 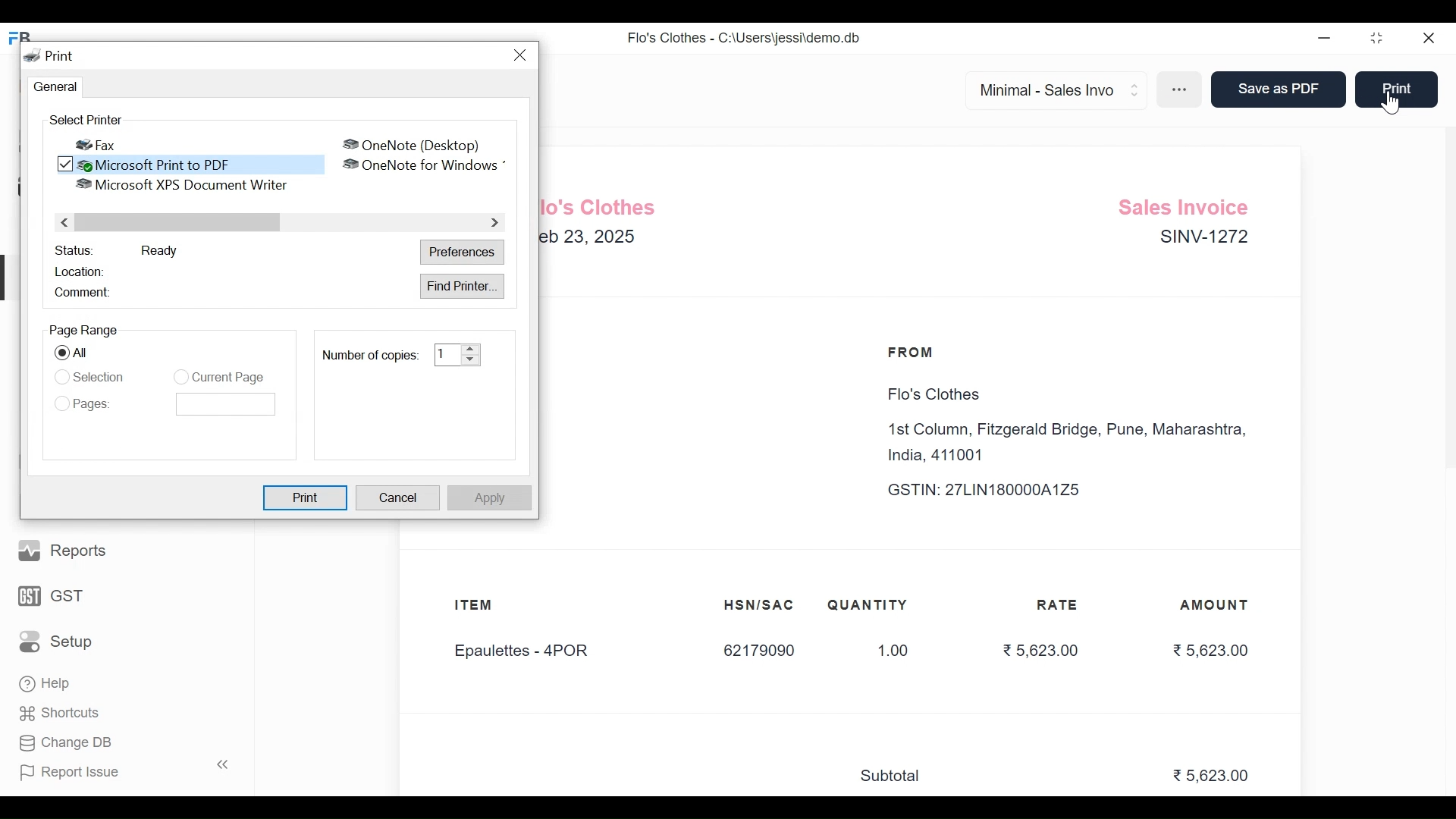 I want to click on Preferences, so click(x=464, y=253).